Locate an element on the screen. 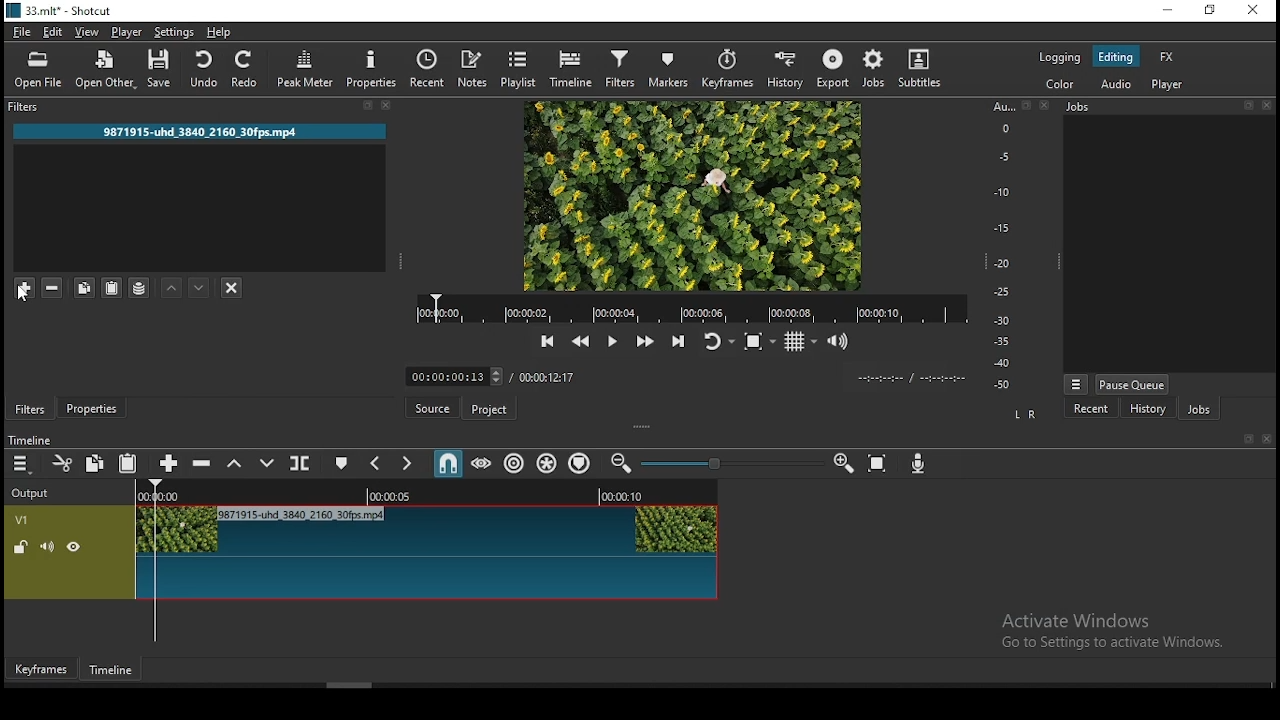  record audio is located at coordinates (919, 467).